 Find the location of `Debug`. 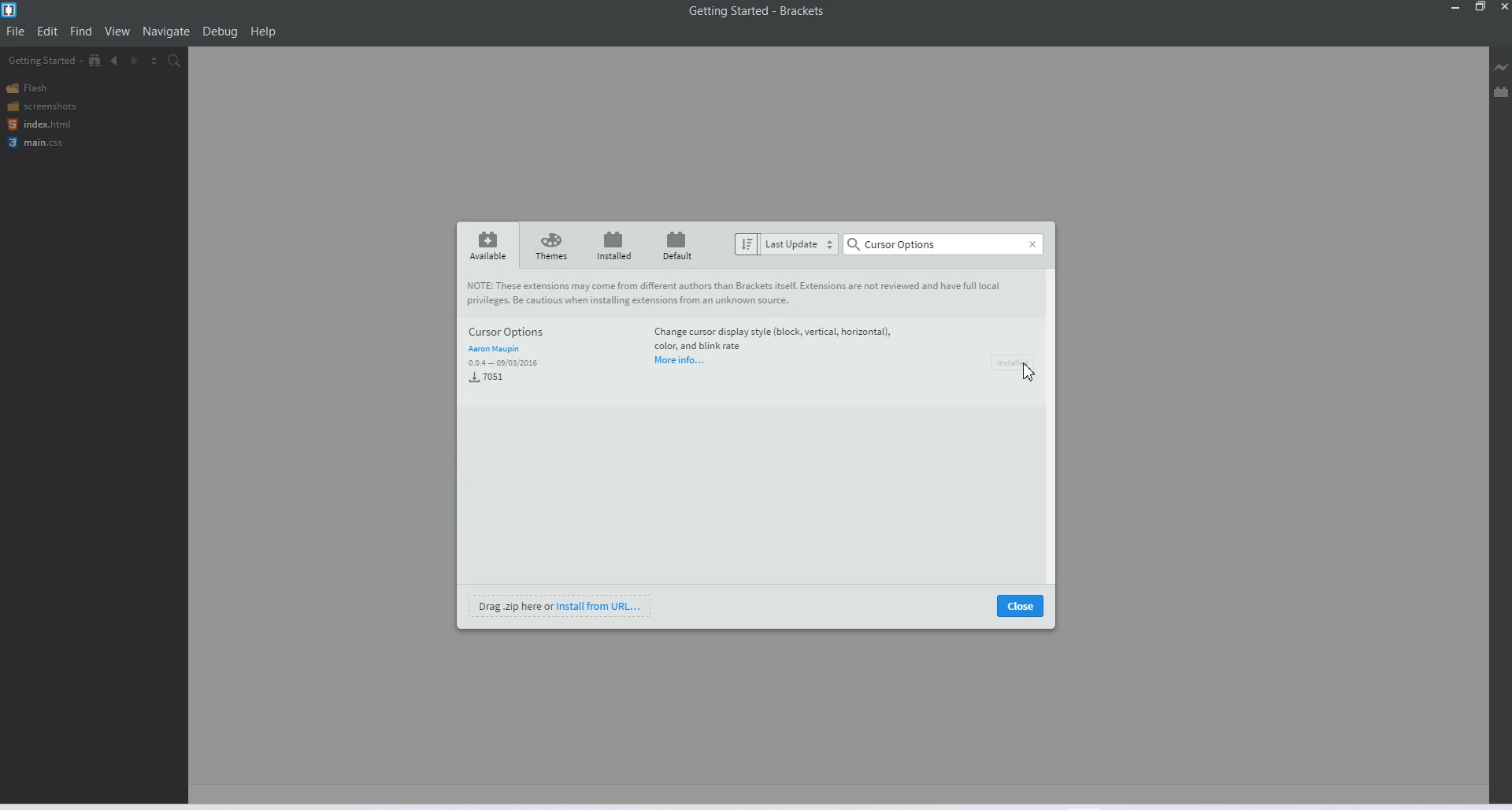

Debug is located at coordinates (220, 32).